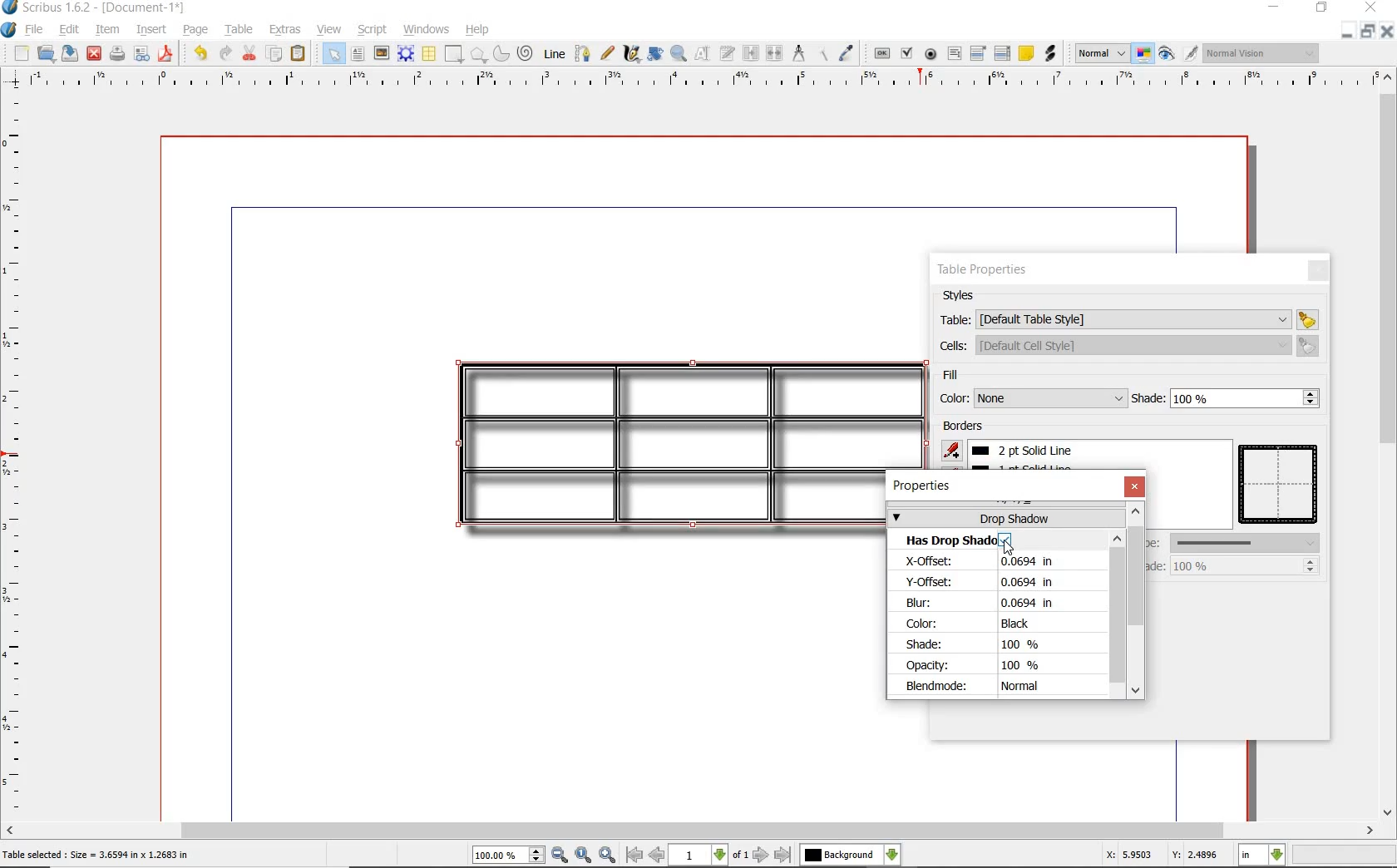 This screenshot has height=868, width=1397. What do you see at coordinates (200, 54) in the screenshot?
I see `undo` at bounding box center [200, 54].